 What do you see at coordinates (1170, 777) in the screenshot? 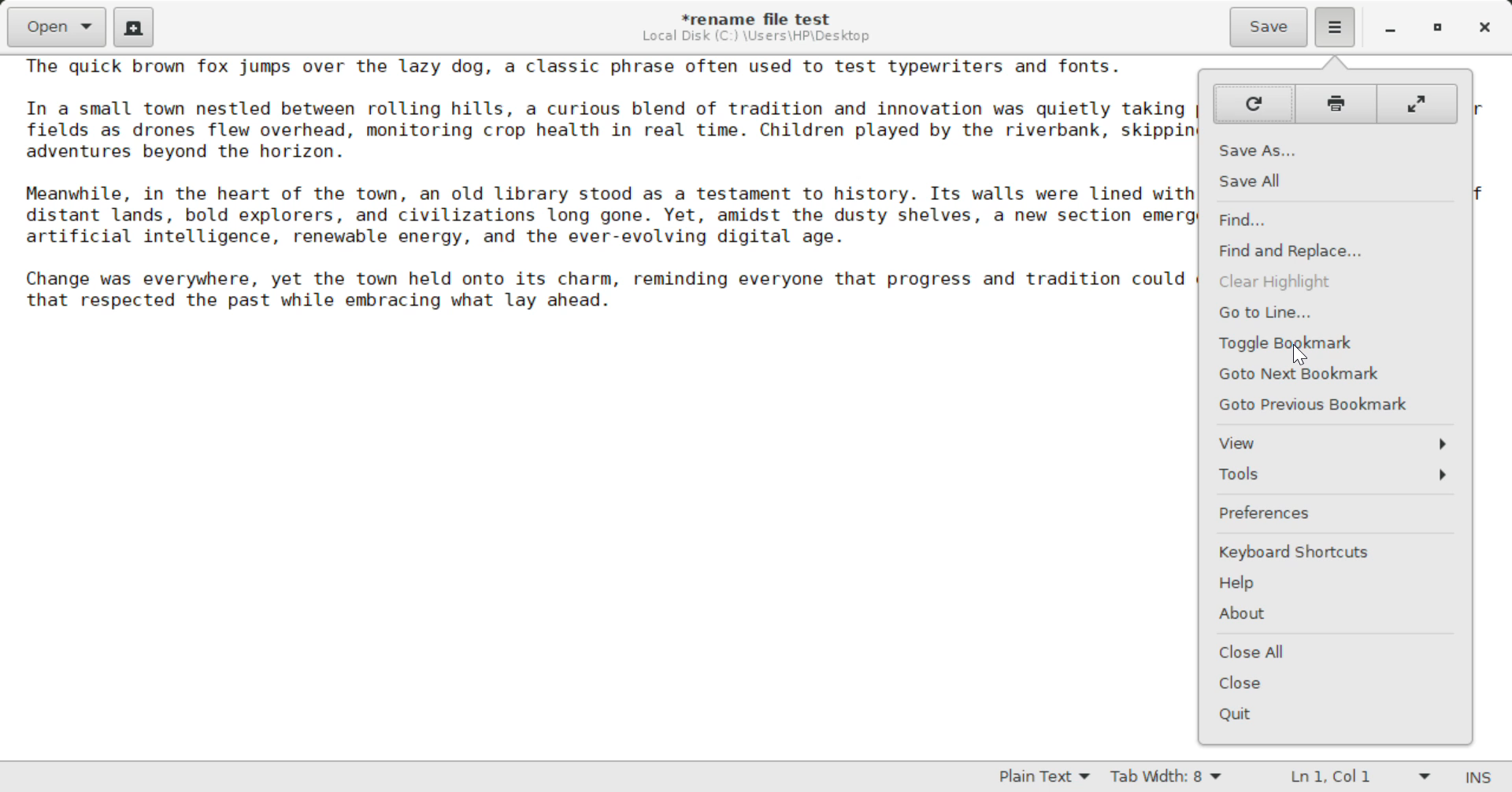
I see `Tab Width` at bounding box center [1170, 777].